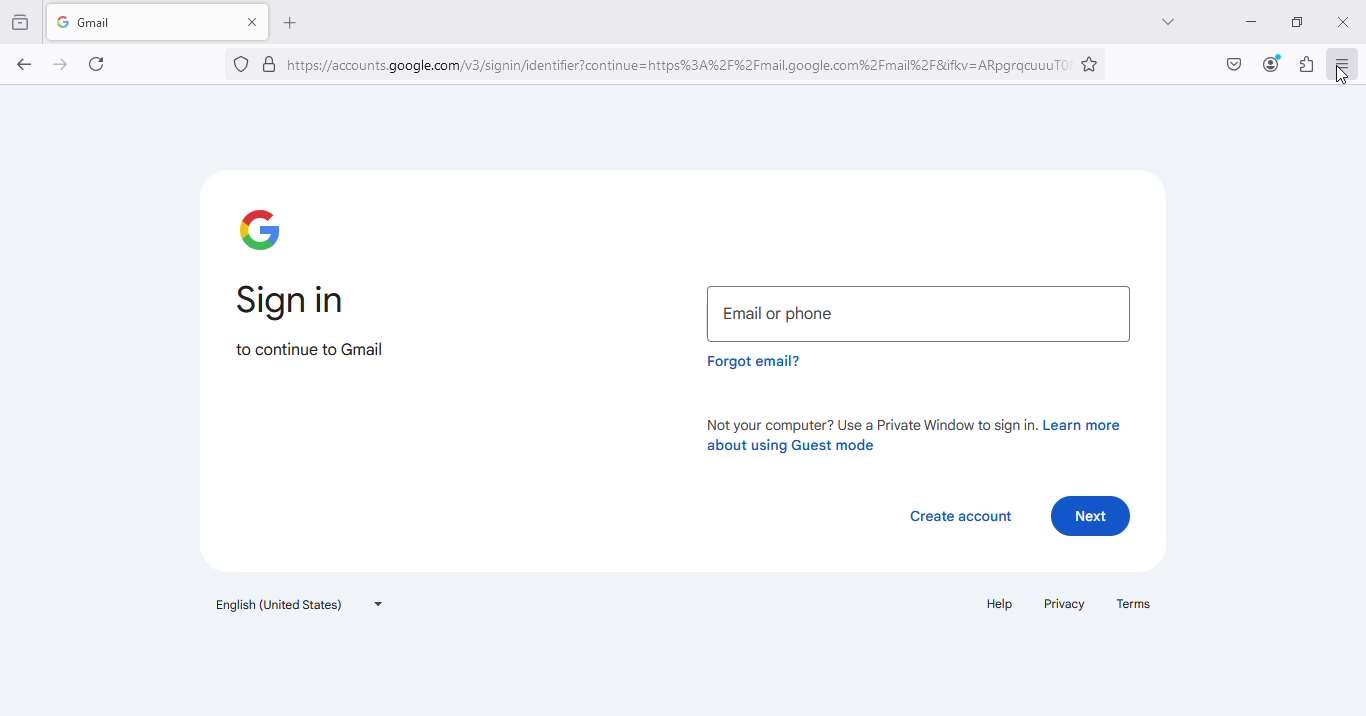  What do you see at coordinates (1134, 603) in the screenshot?
I see `terms` at bounding box center [1134, 603].